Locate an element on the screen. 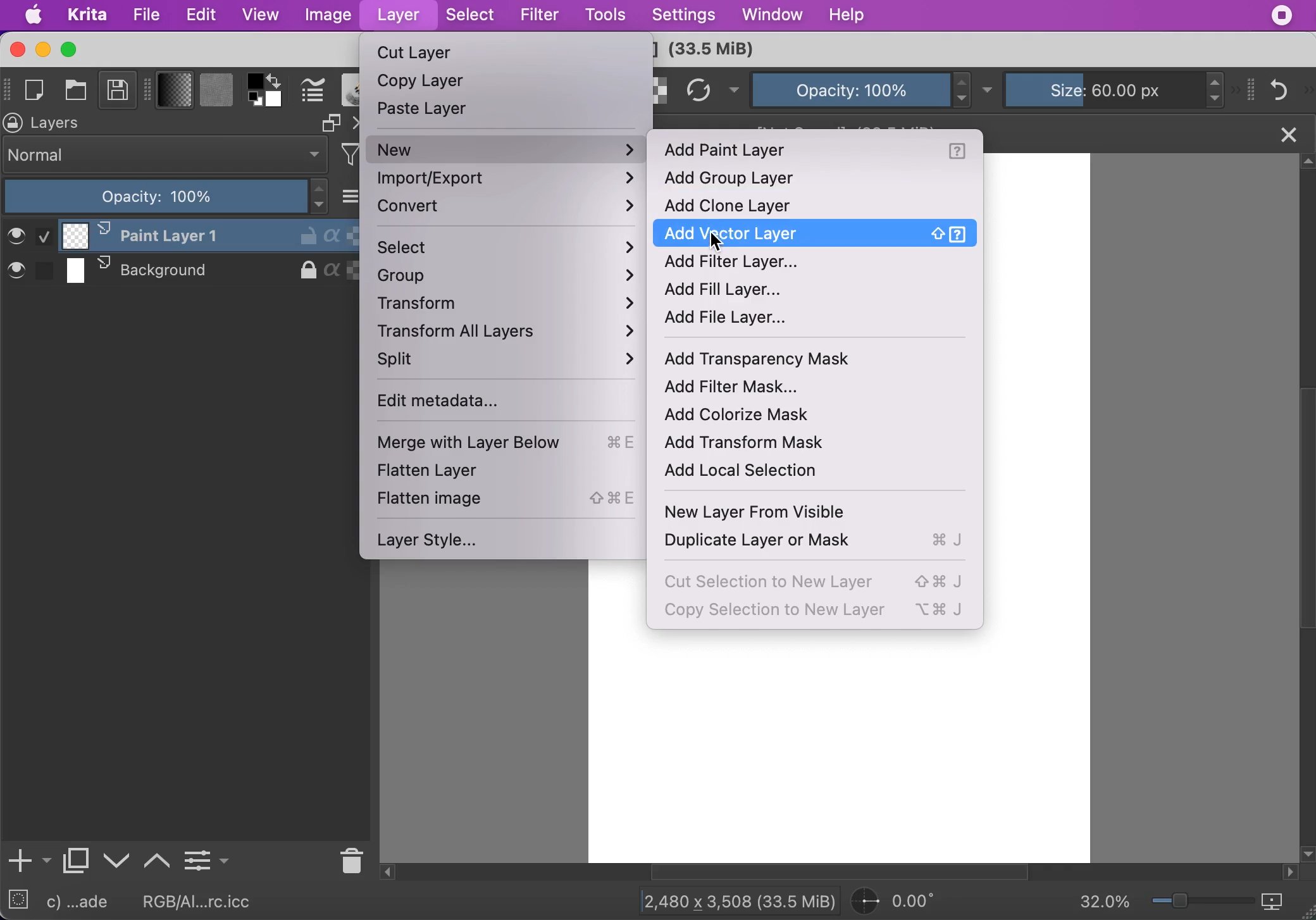 The image size is (1316, 920). duplicate layer or mask is located at coordinates (77, 864).